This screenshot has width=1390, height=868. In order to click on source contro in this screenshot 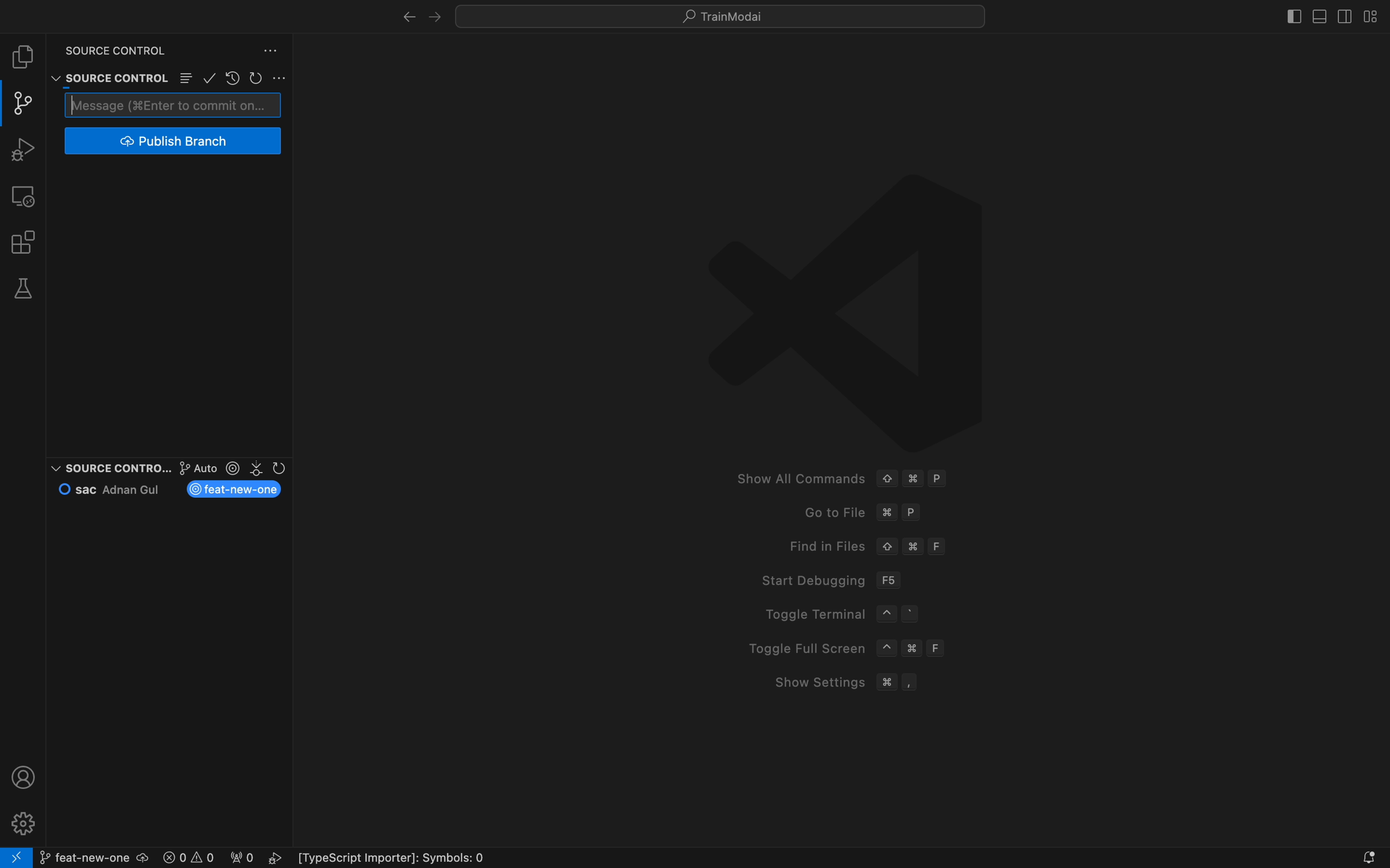, I will do `click(108, 468)`.